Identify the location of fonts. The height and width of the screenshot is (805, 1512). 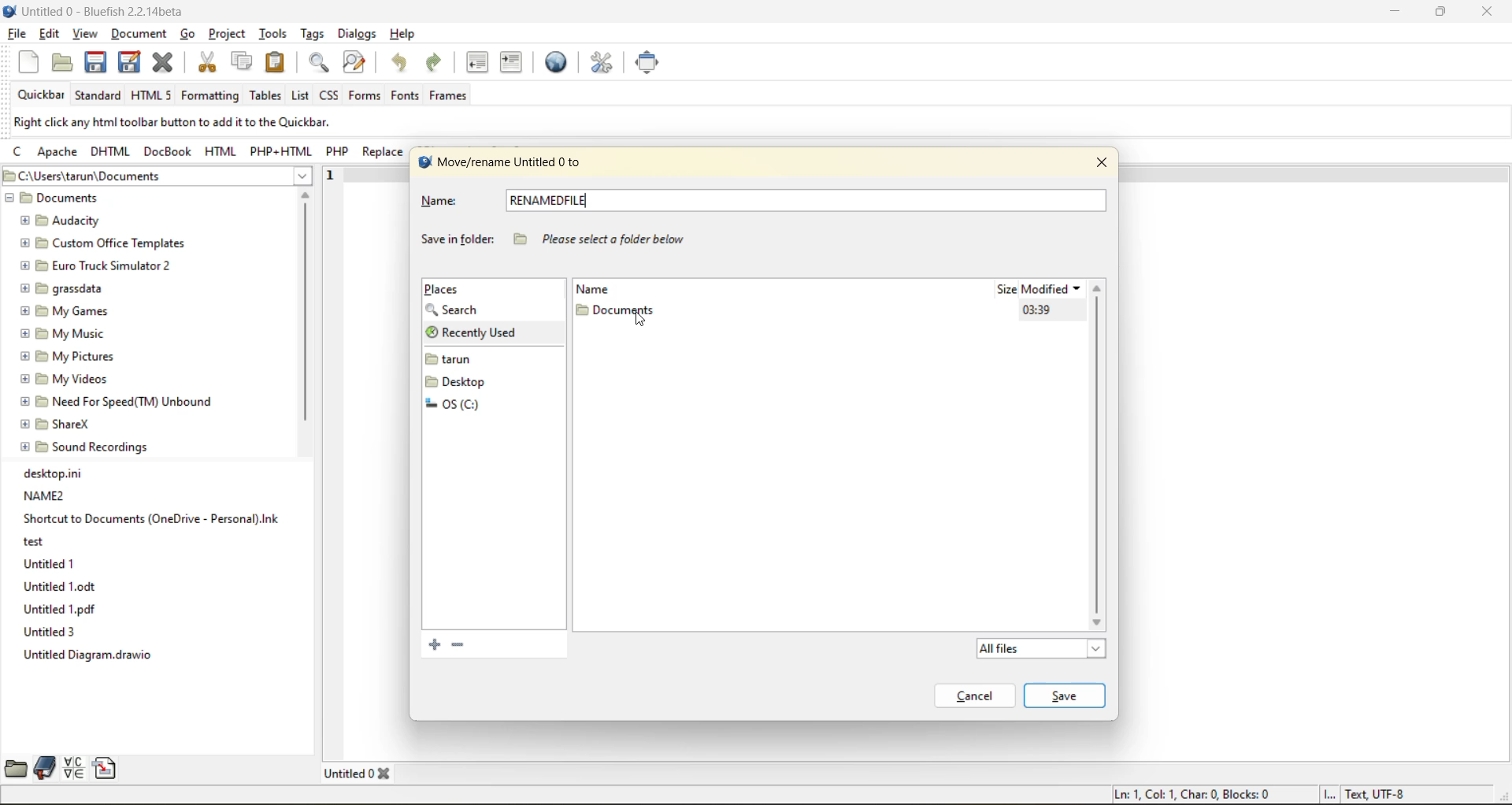
(404, 95).